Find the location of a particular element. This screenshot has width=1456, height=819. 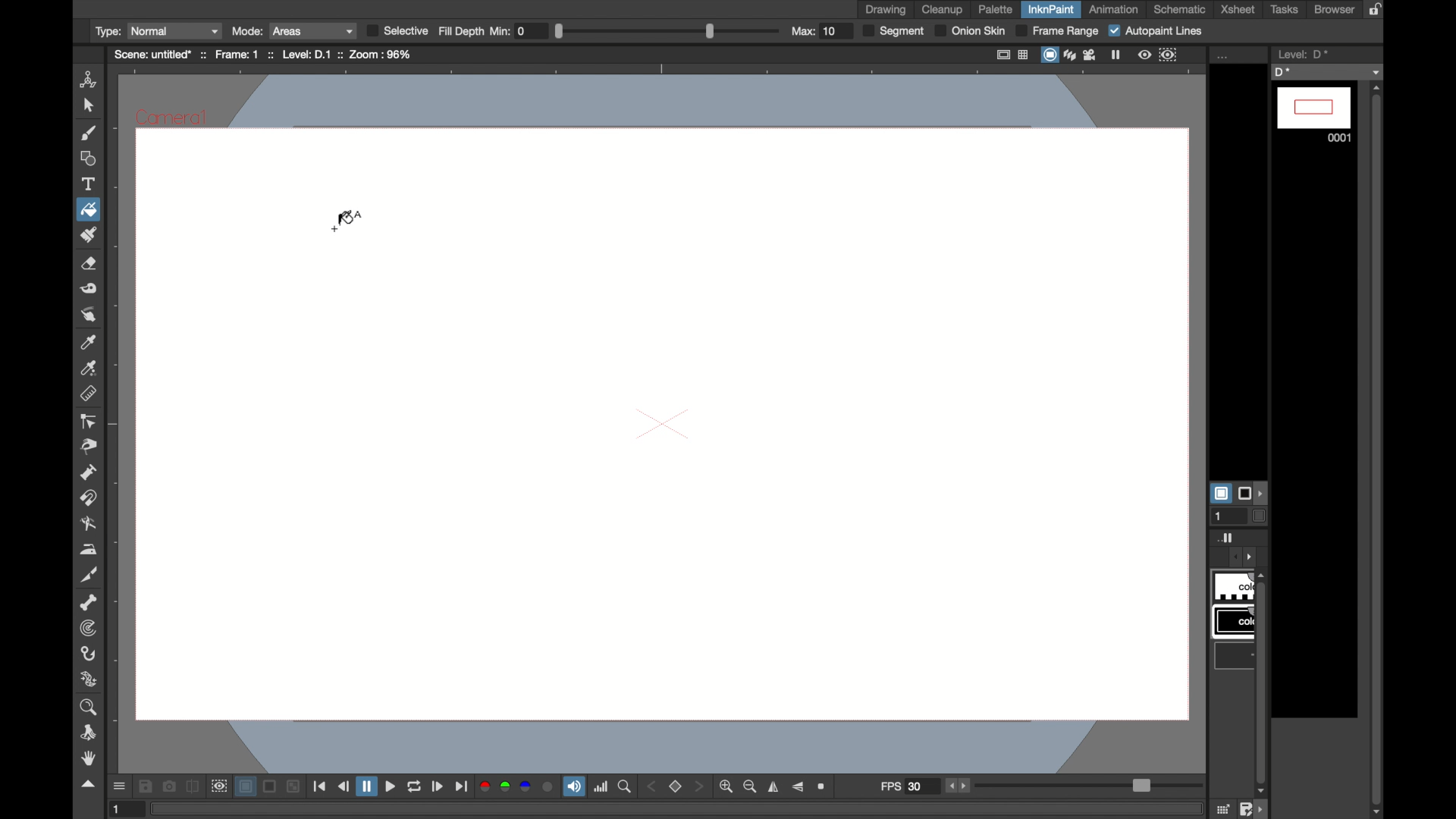

flip vertically is located at coordinates (796, 787).